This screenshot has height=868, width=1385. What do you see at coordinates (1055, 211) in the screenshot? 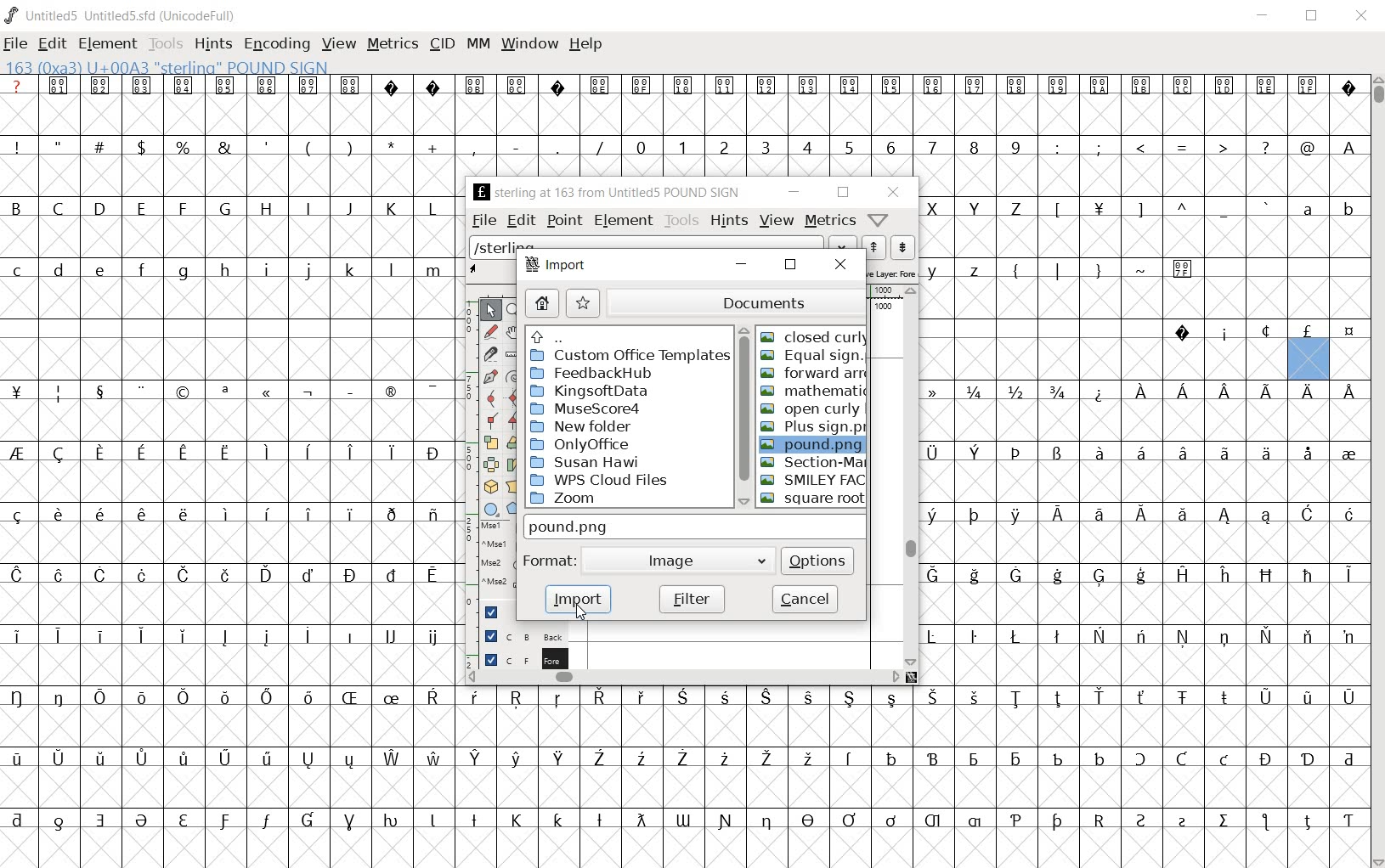
I see `[` at bounding box center [1055, 211].